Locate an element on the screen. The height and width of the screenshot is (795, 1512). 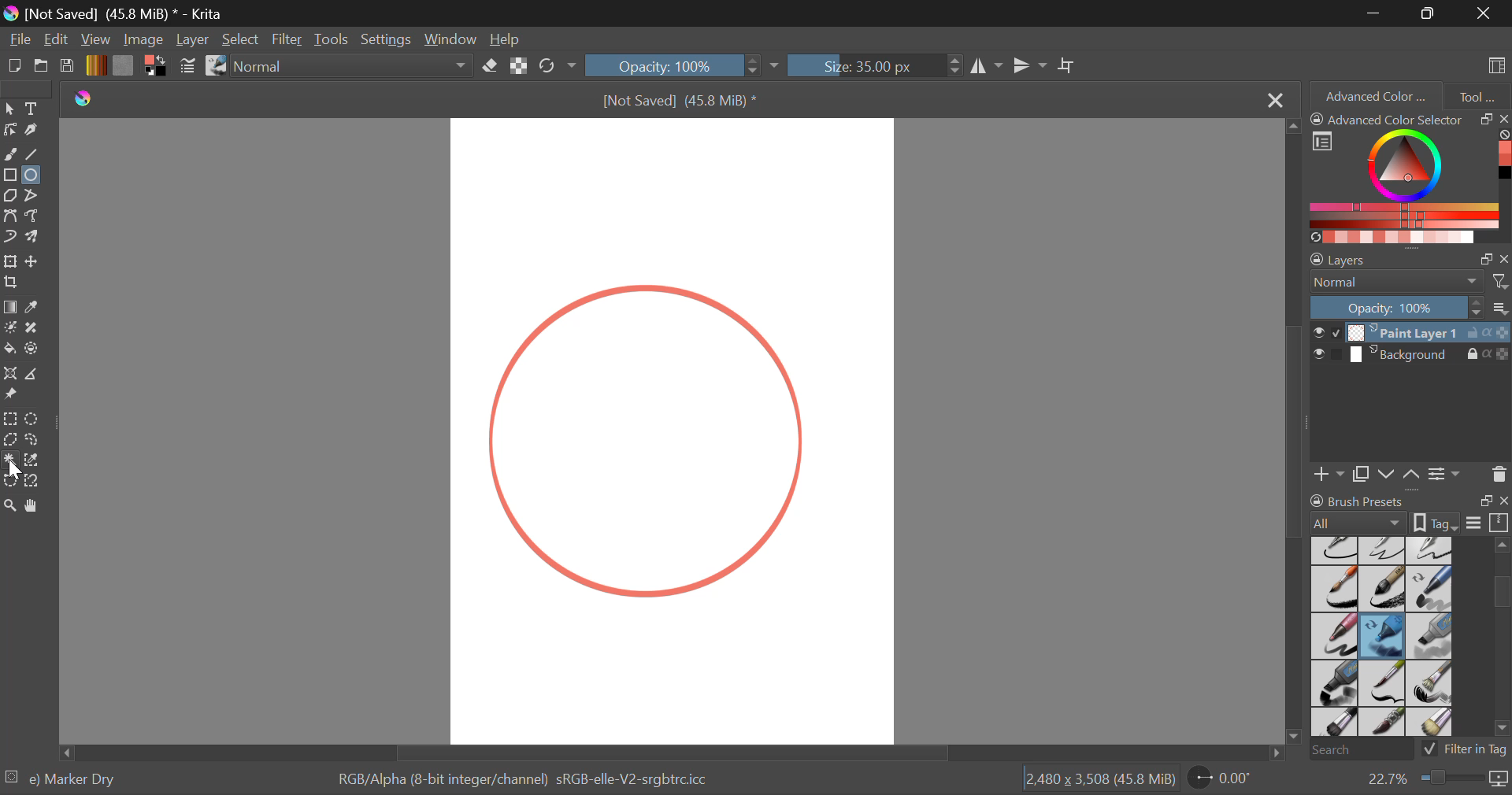
Image is located at coordinates (145, 39).